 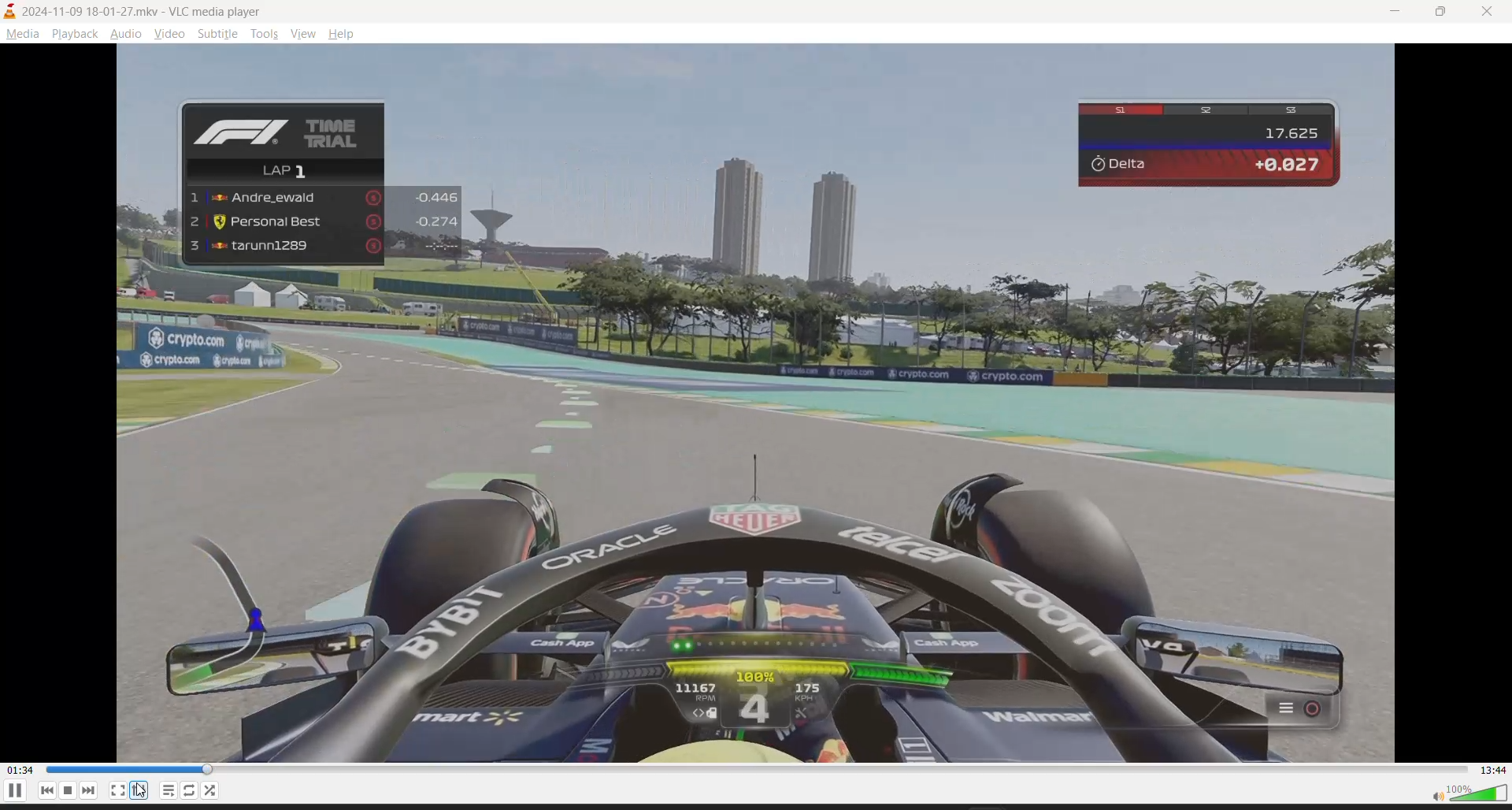 I want to click on settings, so click(x=138, y=790).